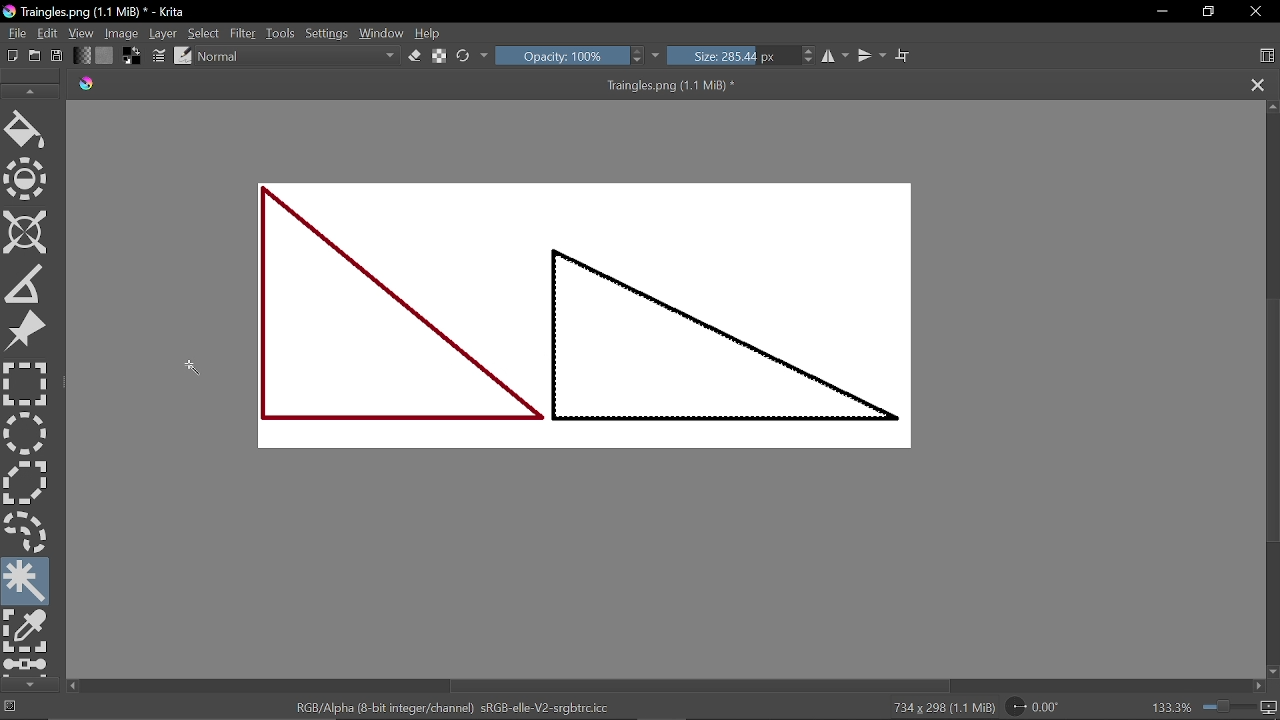  What do you see at coordinates (160, 56) in the screenshot?
I see `Edit brush settings` at bounding box center [160, 56].